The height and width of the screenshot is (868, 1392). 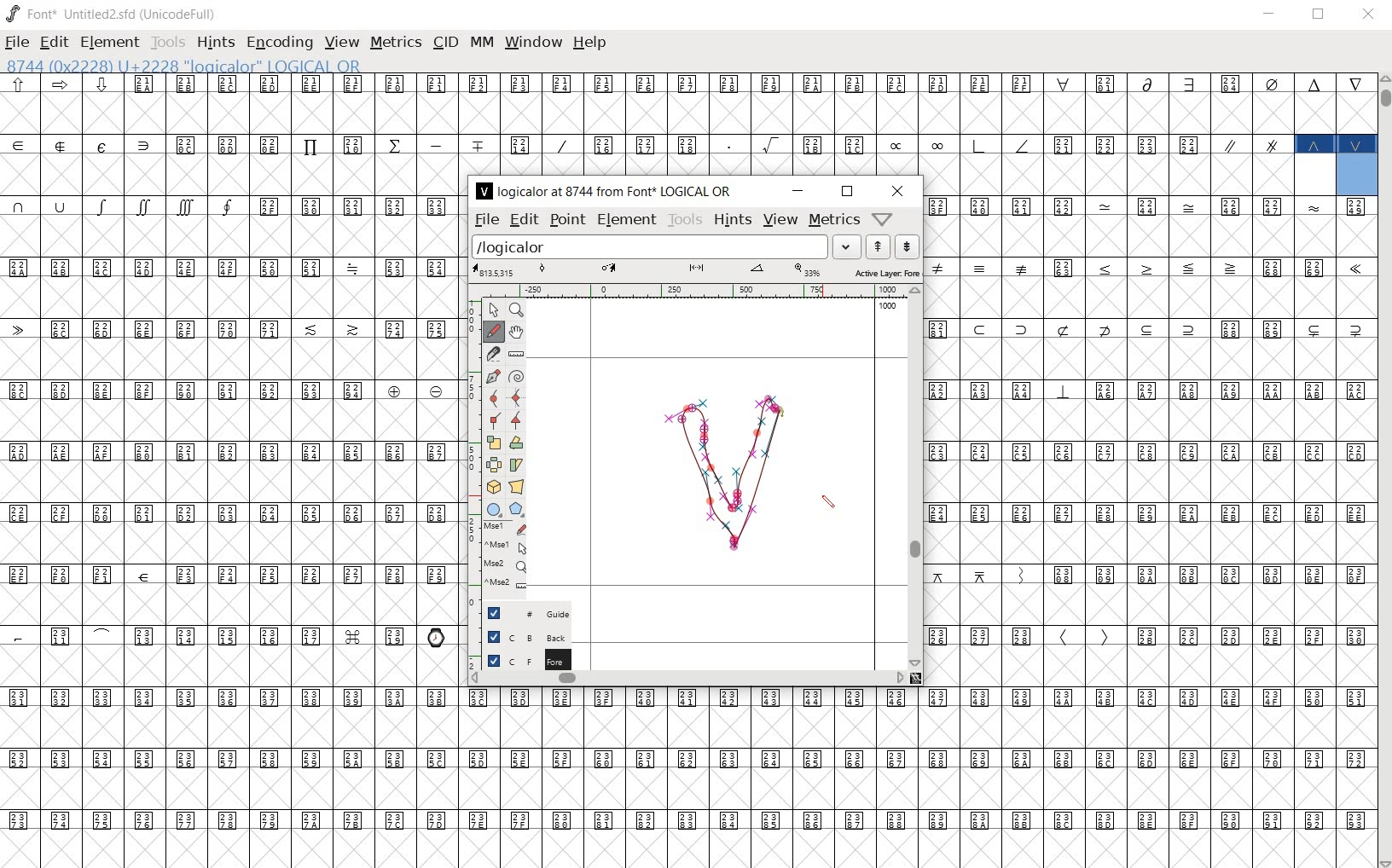 What do you see at coordinates (516, 333) in the screenshot?
I see `scroll by hand` at bounding box center [516, 333].